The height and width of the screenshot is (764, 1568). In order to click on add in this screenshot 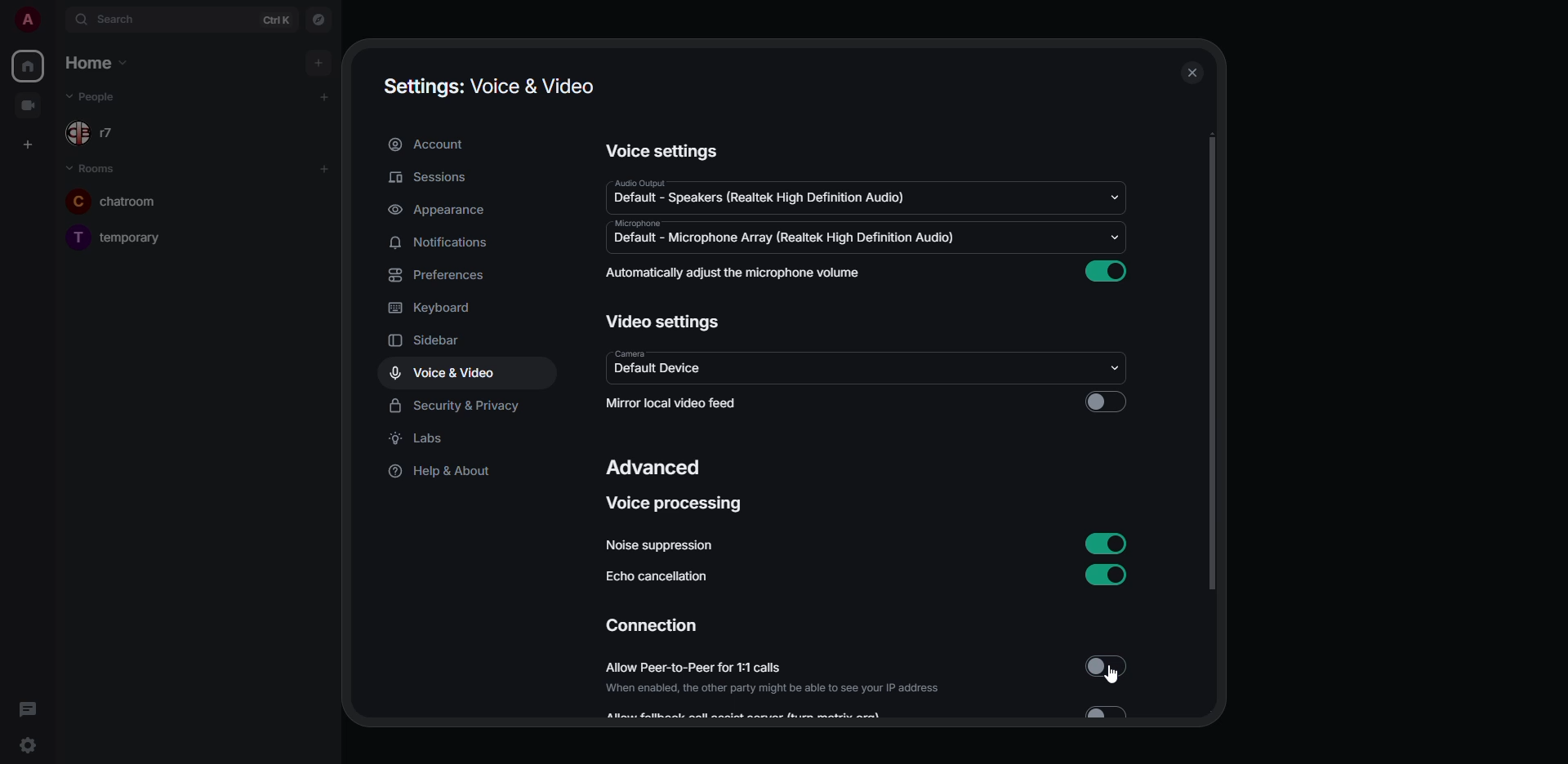, I will do `click(324, 169)`.